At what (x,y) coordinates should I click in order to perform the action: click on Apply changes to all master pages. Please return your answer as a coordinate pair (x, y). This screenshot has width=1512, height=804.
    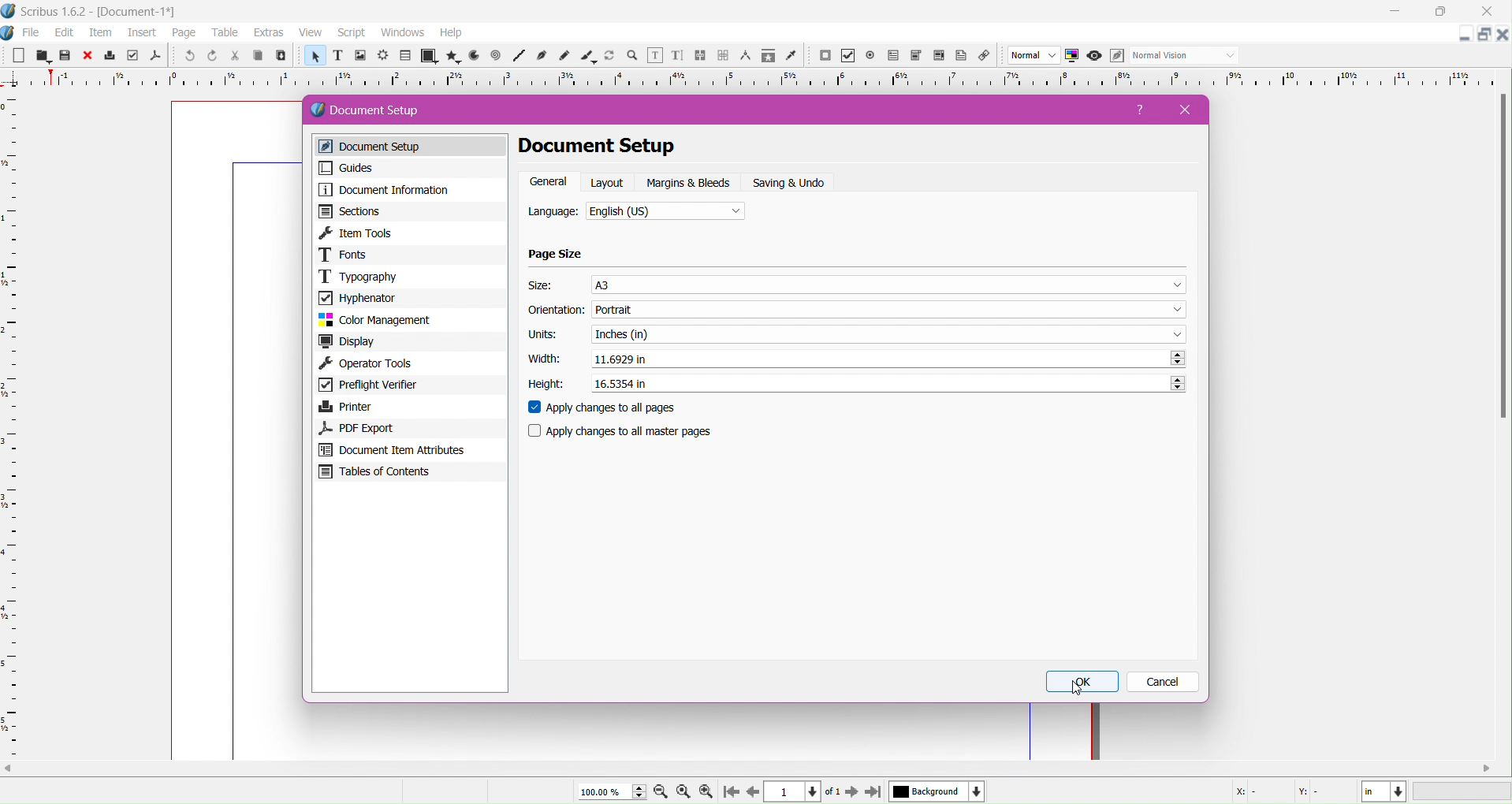
    Looking at the image, I should click on (630, 431).